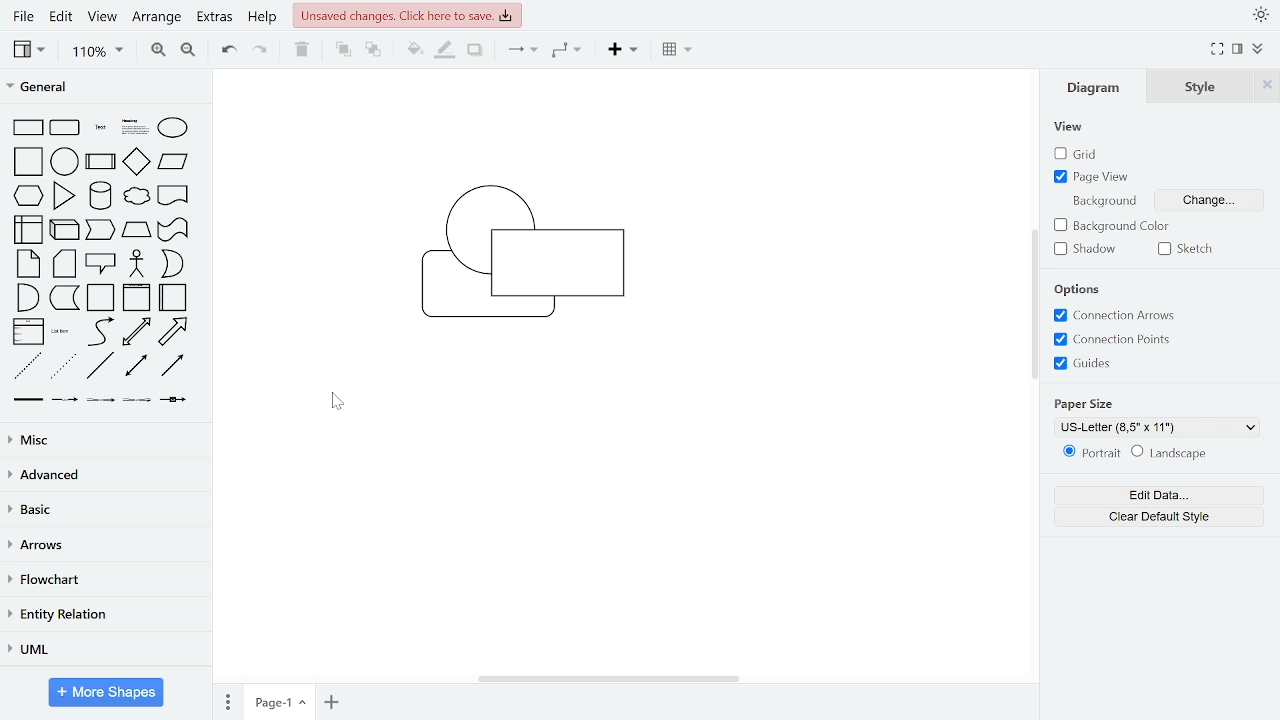 The width and height of the screenshot is (1280, 720). What do you see at coordinates (106, 579) in the screenshot?
I see `flowchart` at bounding box center [106, 579].